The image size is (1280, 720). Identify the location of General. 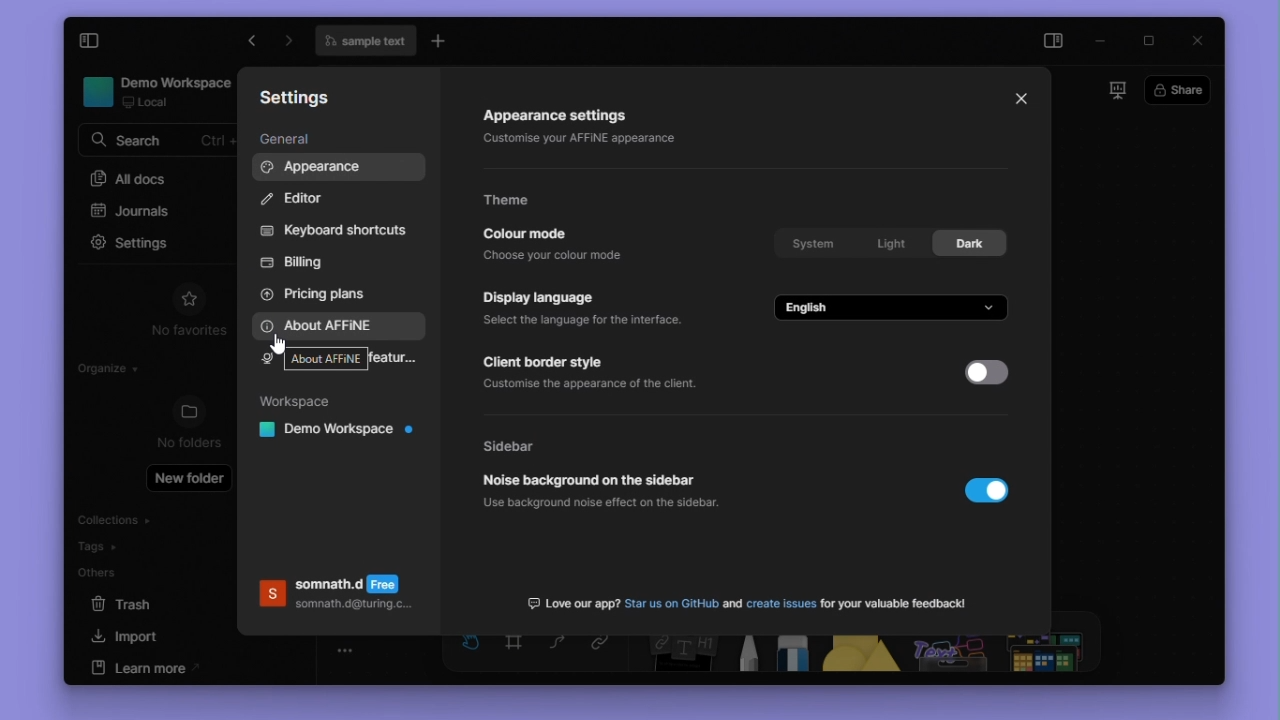
(295, 139).